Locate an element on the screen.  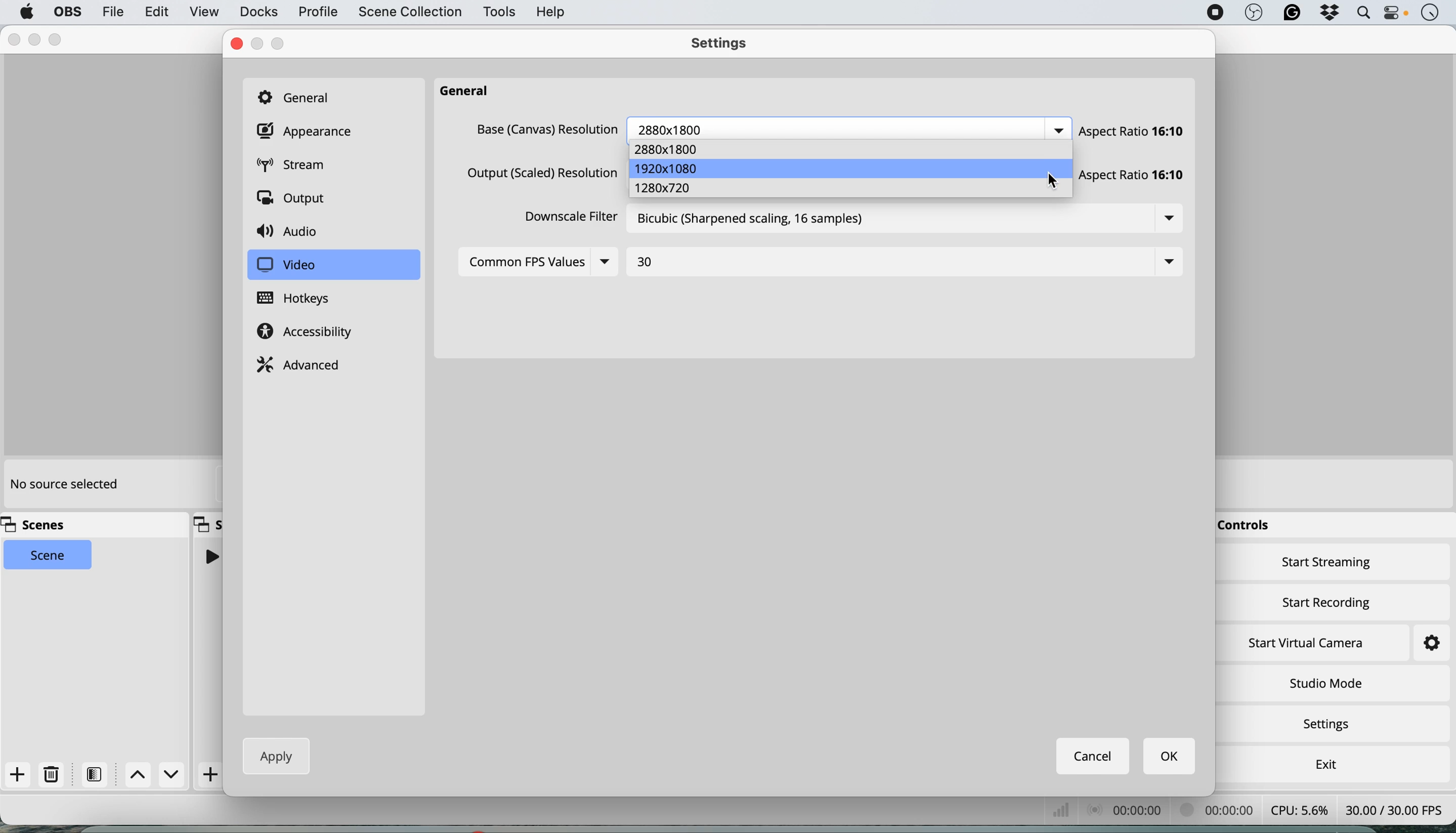
advanced is located at coordinates (301, 363).